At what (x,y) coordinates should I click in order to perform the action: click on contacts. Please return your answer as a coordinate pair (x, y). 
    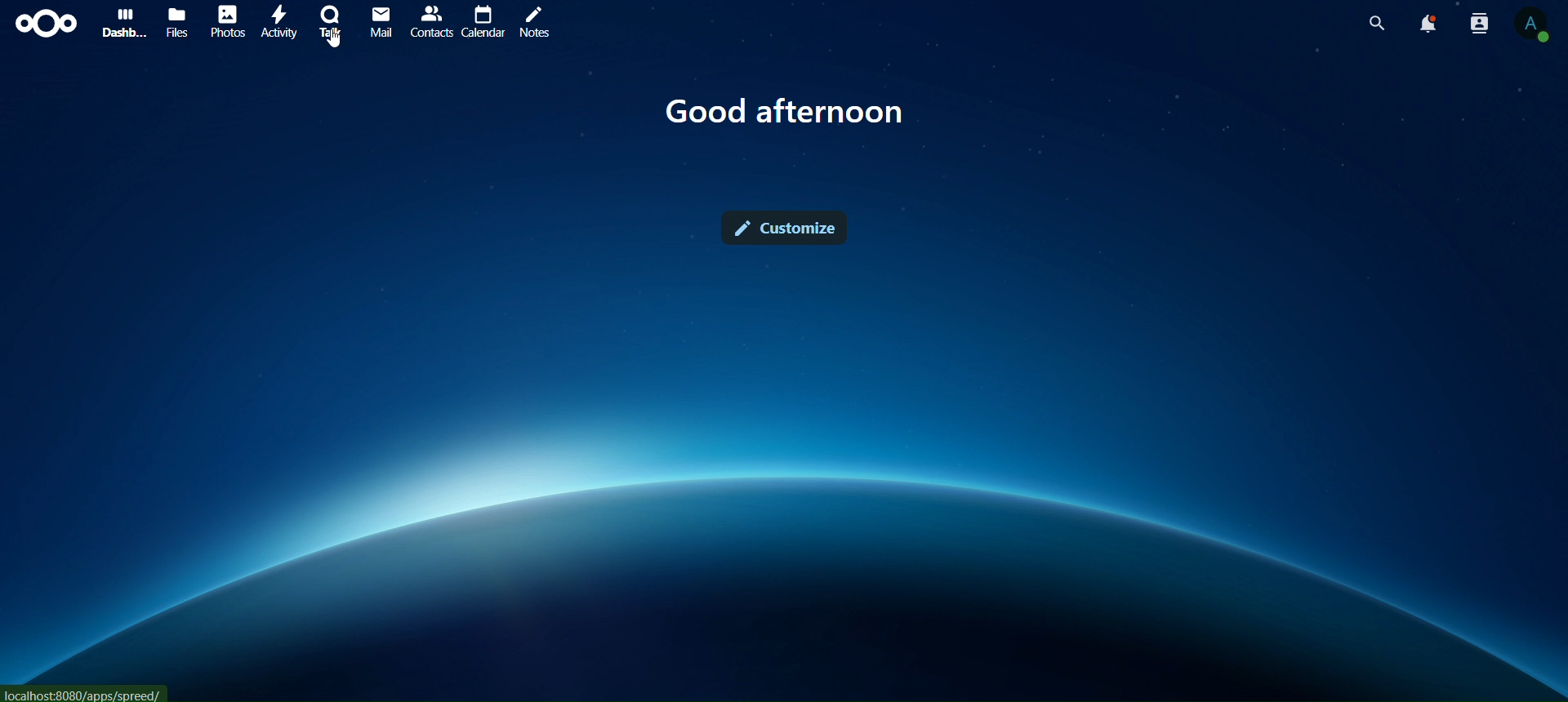
    Looking at the image, I should click on (1481, 25).